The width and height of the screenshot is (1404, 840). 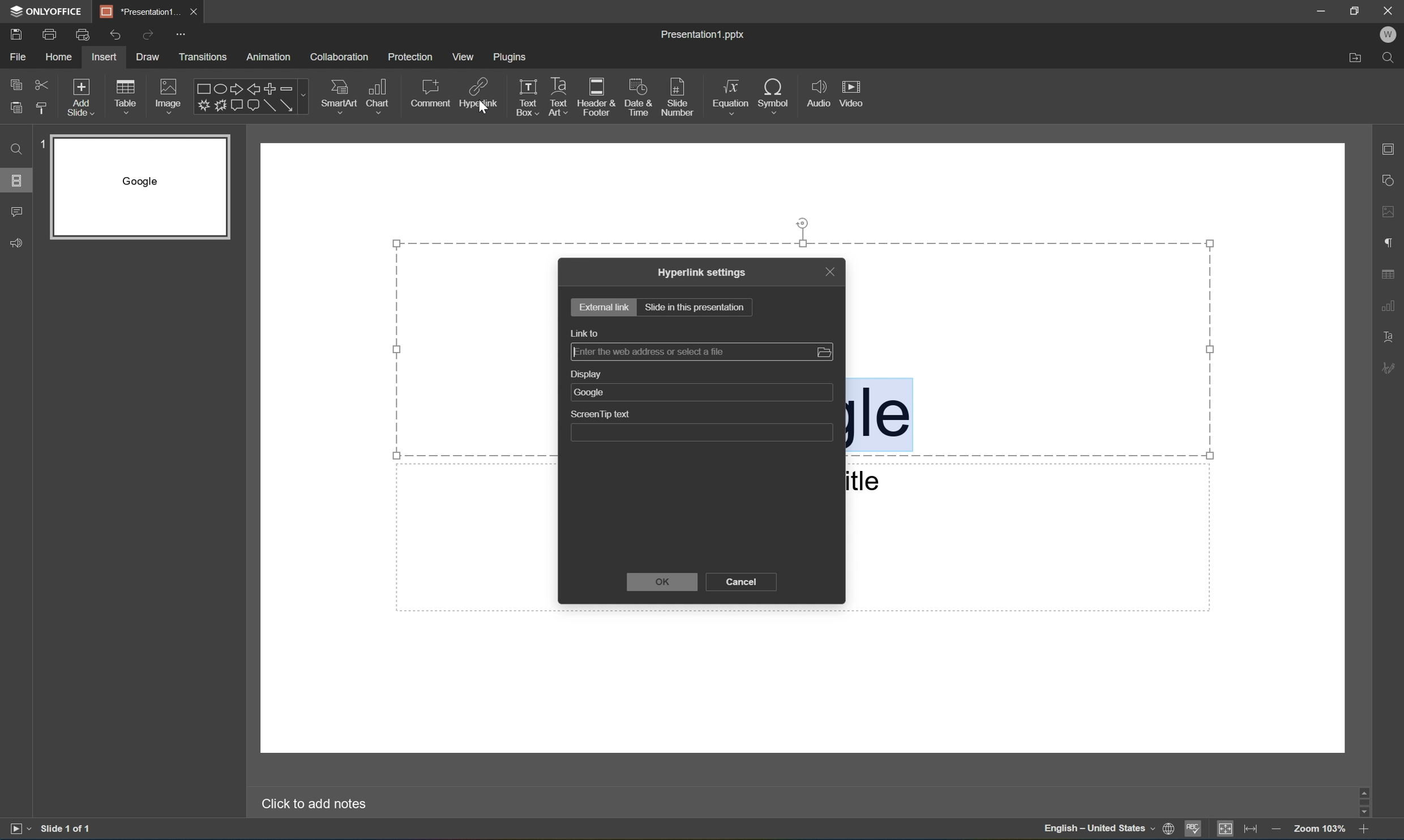 I want to click on Audio, so click(x=817, y=90).